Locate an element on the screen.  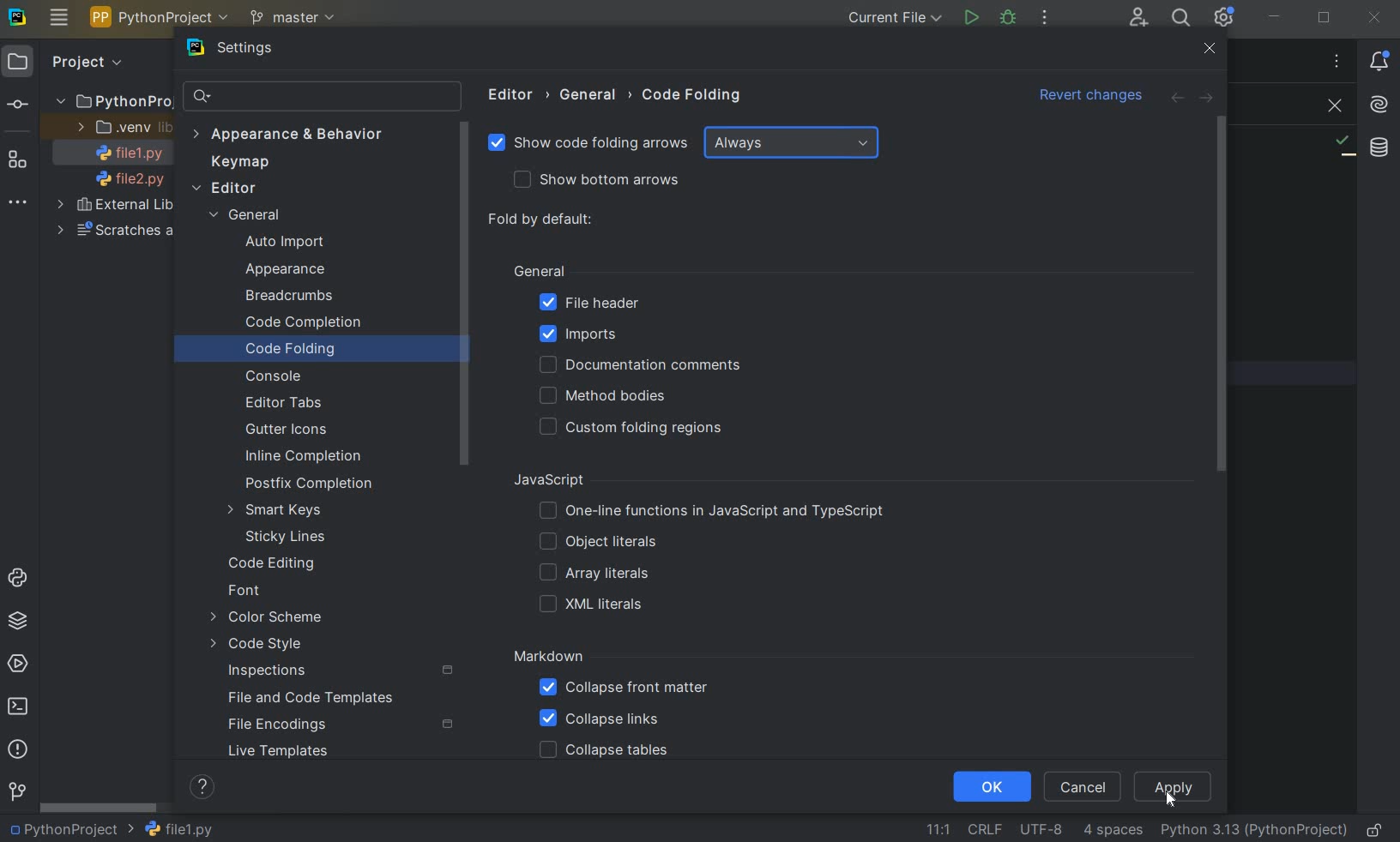
FORWARD is located at coordinates (1208, 99).